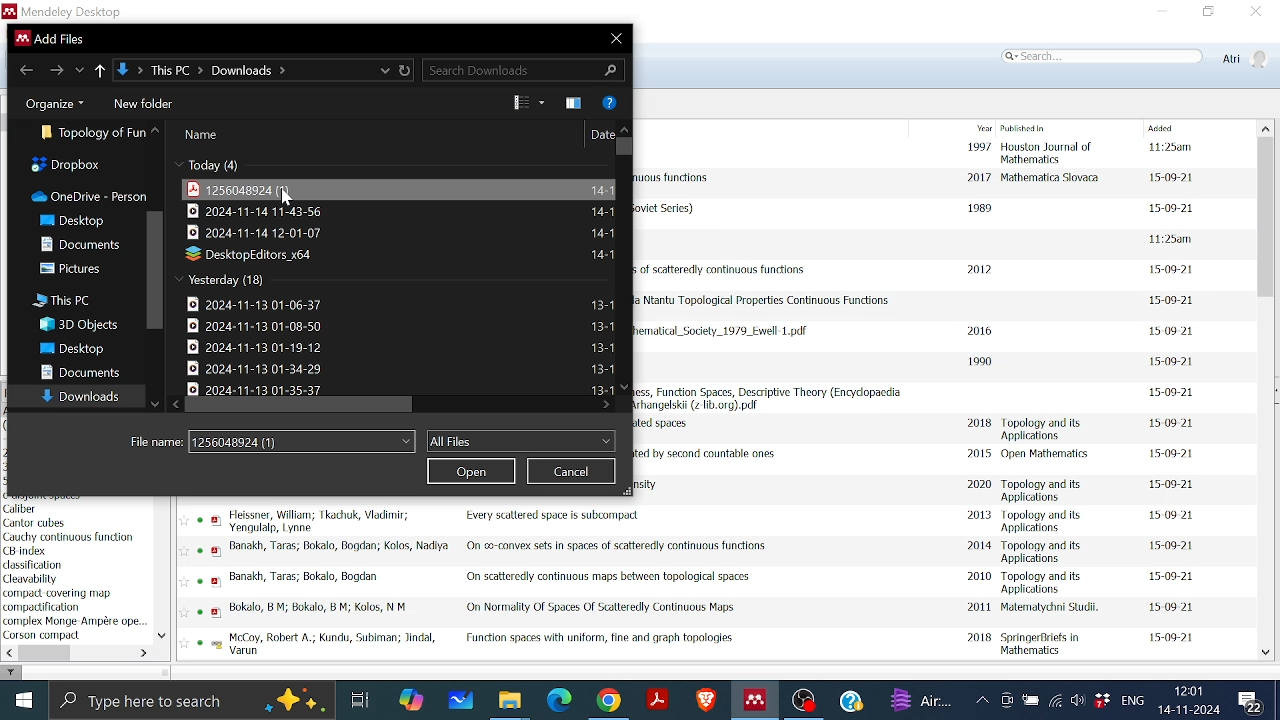  Describe the element at coordinates (975, 148) in the screenshot. I see `1997` at that location.